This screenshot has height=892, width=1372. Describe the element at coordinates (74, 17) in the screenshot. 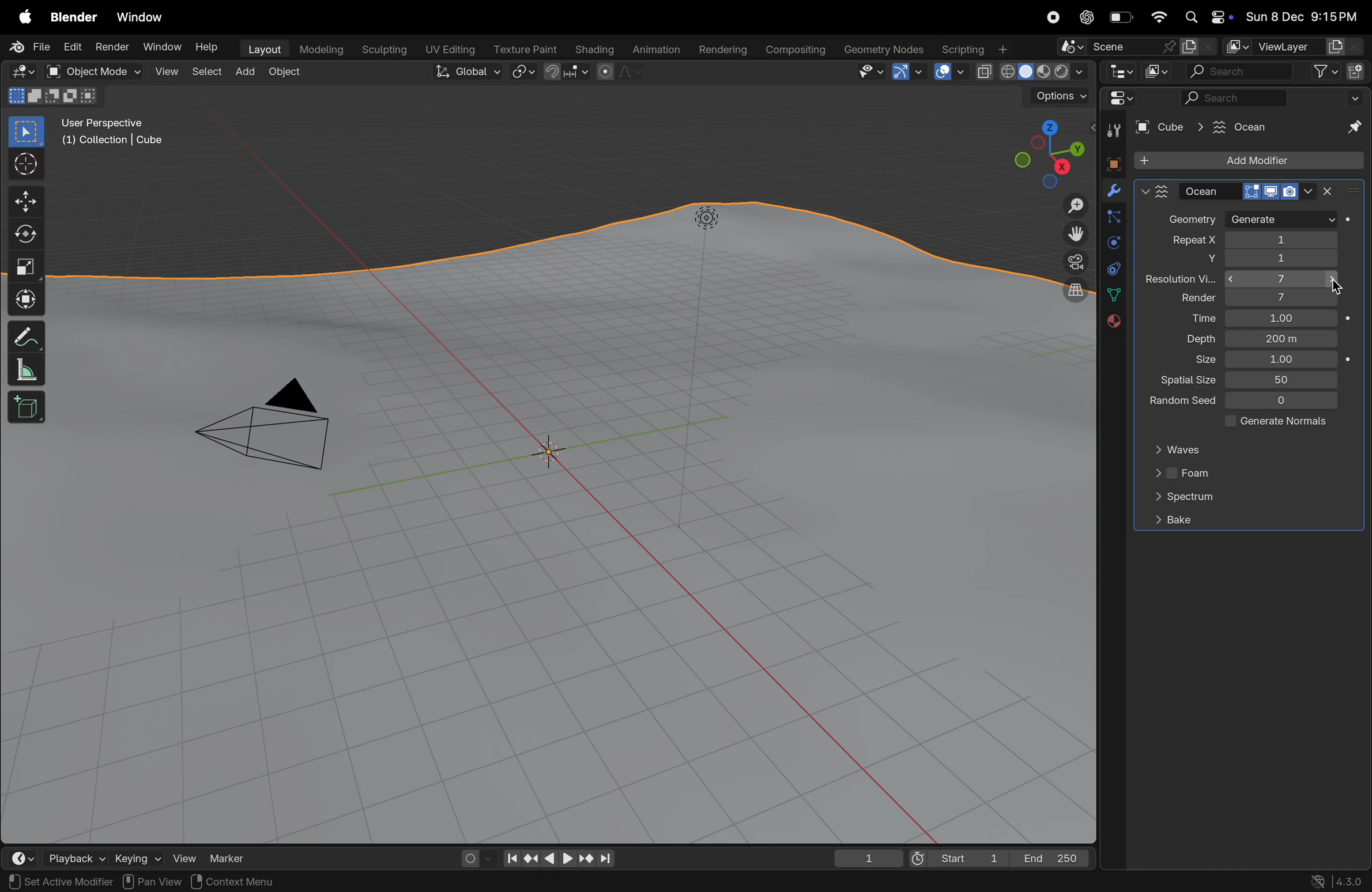

I see `blender` at that location.